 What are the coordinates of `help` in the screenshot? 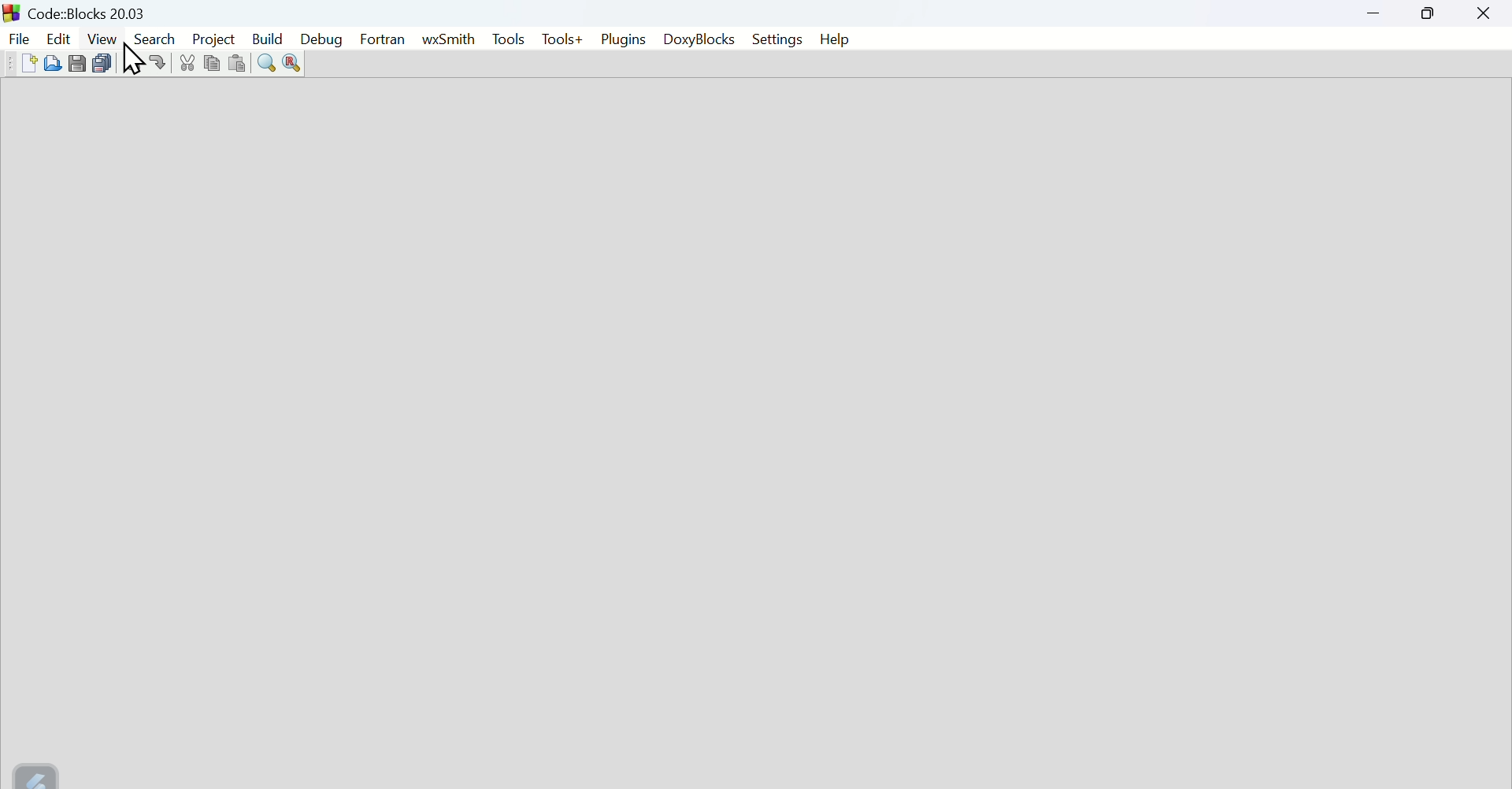 It's located at (835, 39).